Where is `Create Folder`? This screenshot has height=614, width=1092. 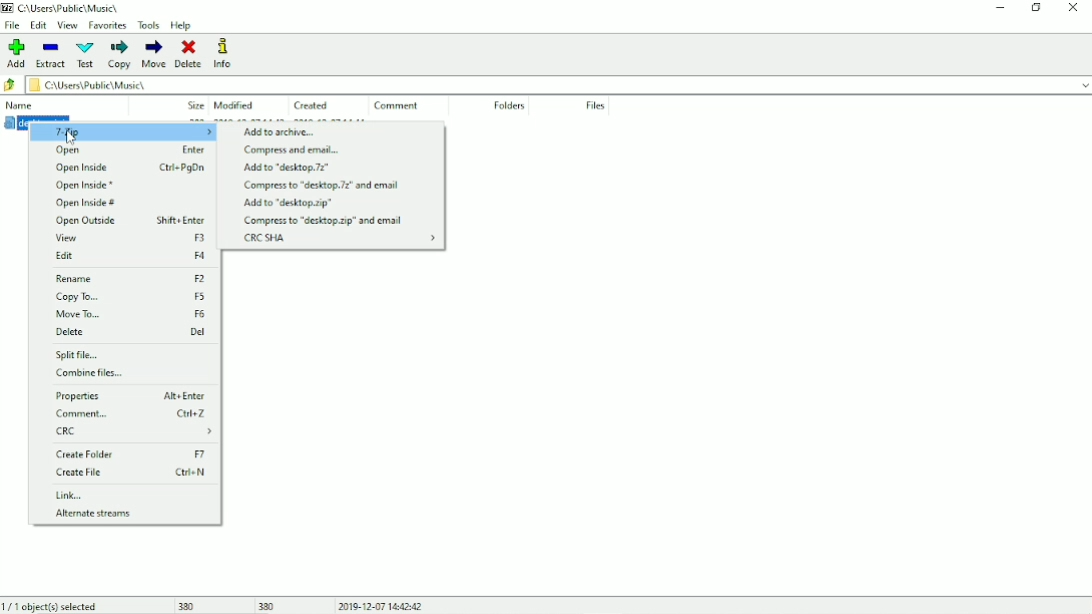
Create Folder is located at coordinates (131, 454).